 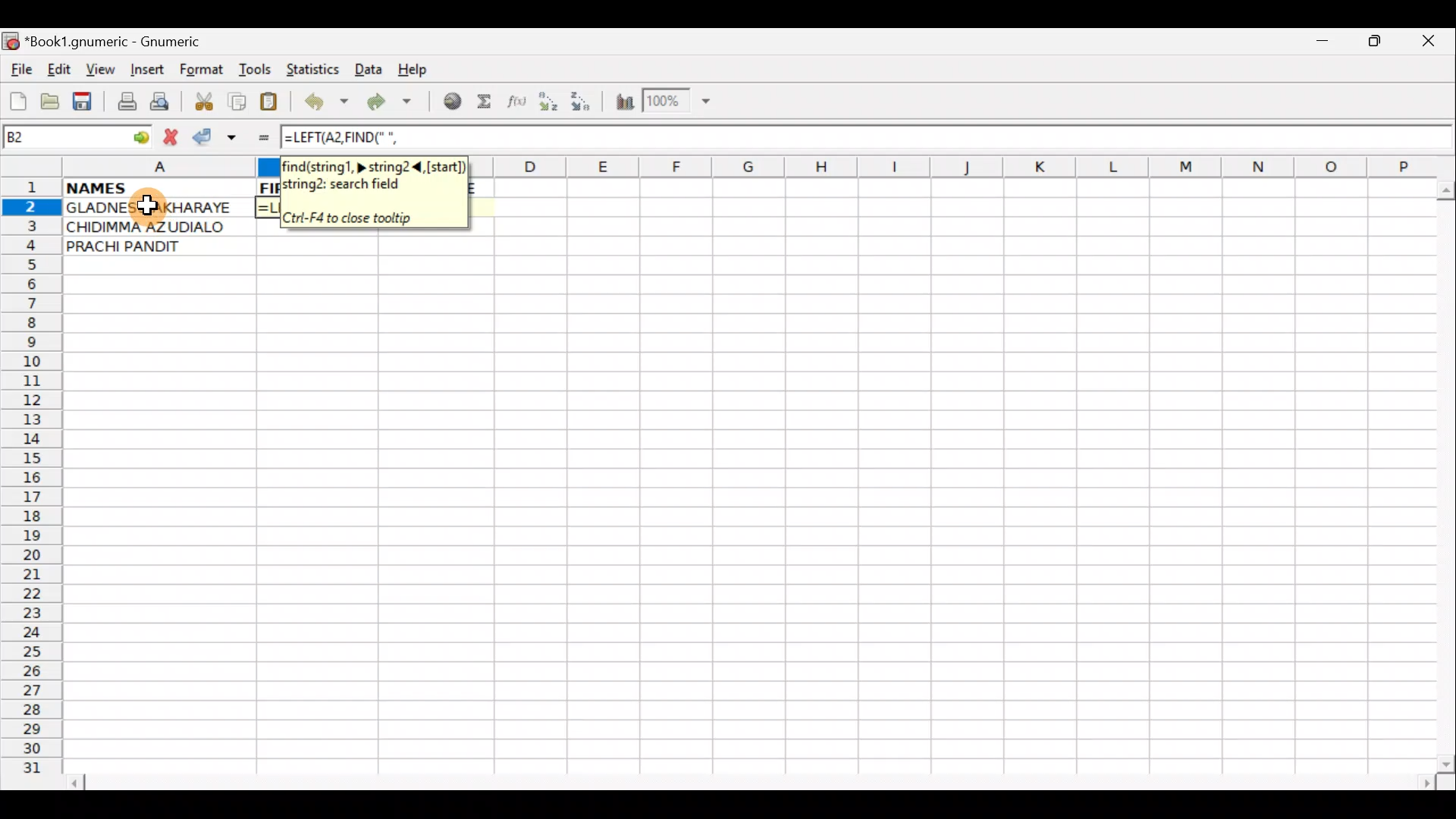 What do you see at coordinates (158, 190) in the screenshot?
I see `NAMES` at bounding box center [158, 190].